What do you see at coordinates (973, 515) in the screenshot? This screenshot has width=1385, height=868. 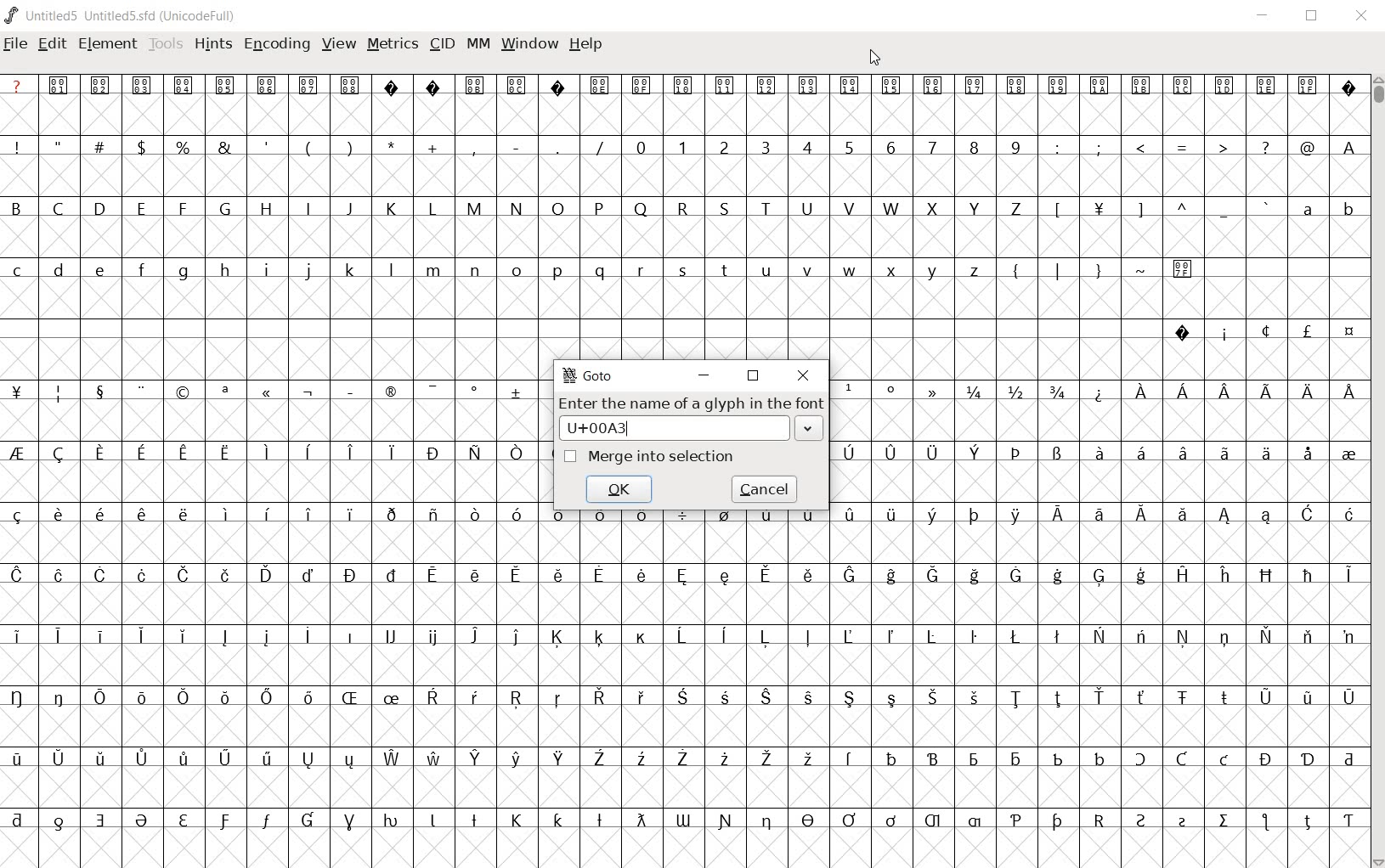 I see `Symbol` at bounding box center [973, 515].